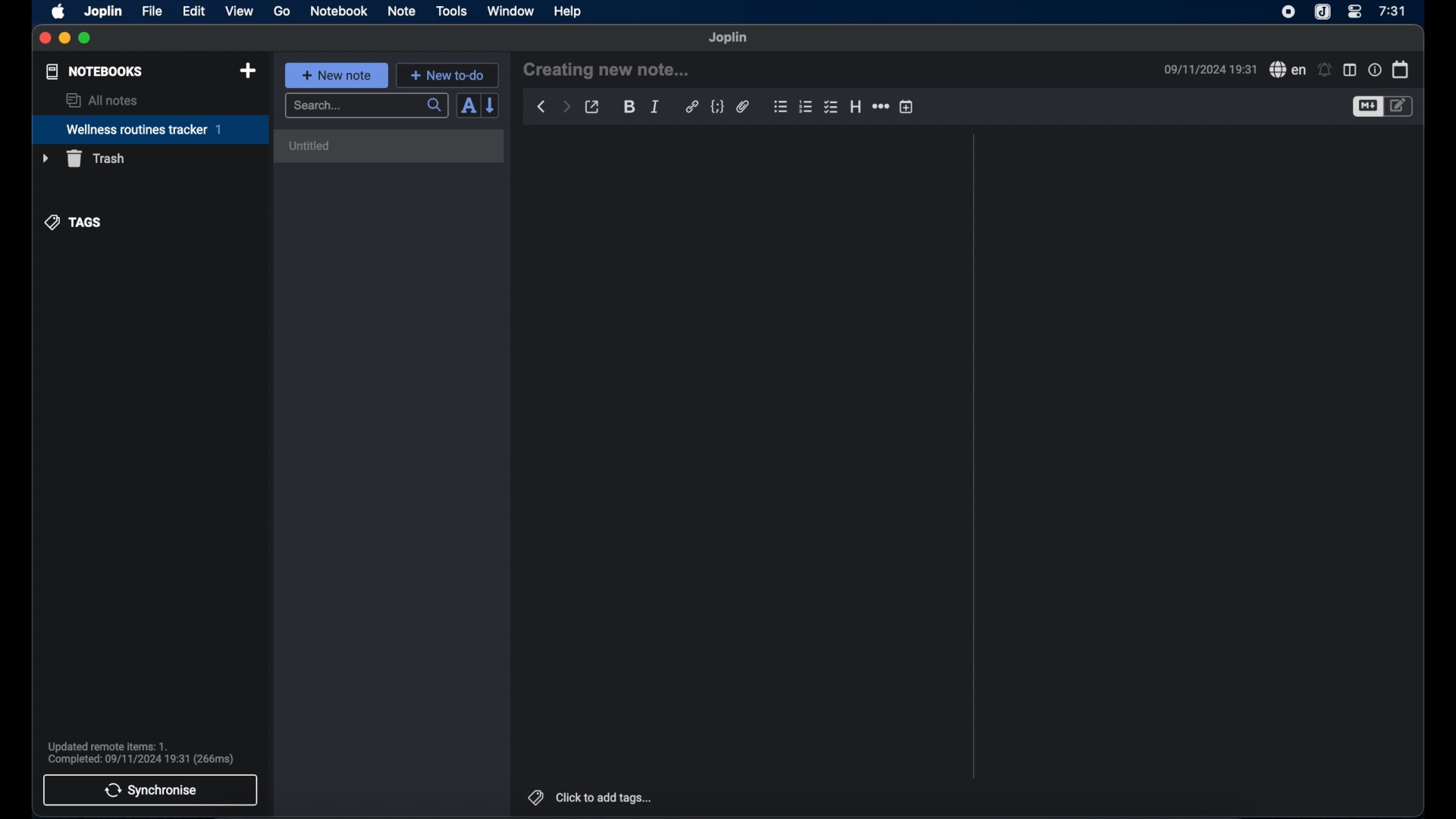 The width and height of the screenshot is (1456, 819). Describe the element at coordinates (566, 106) in the screenshot. I see `forward` at that location.